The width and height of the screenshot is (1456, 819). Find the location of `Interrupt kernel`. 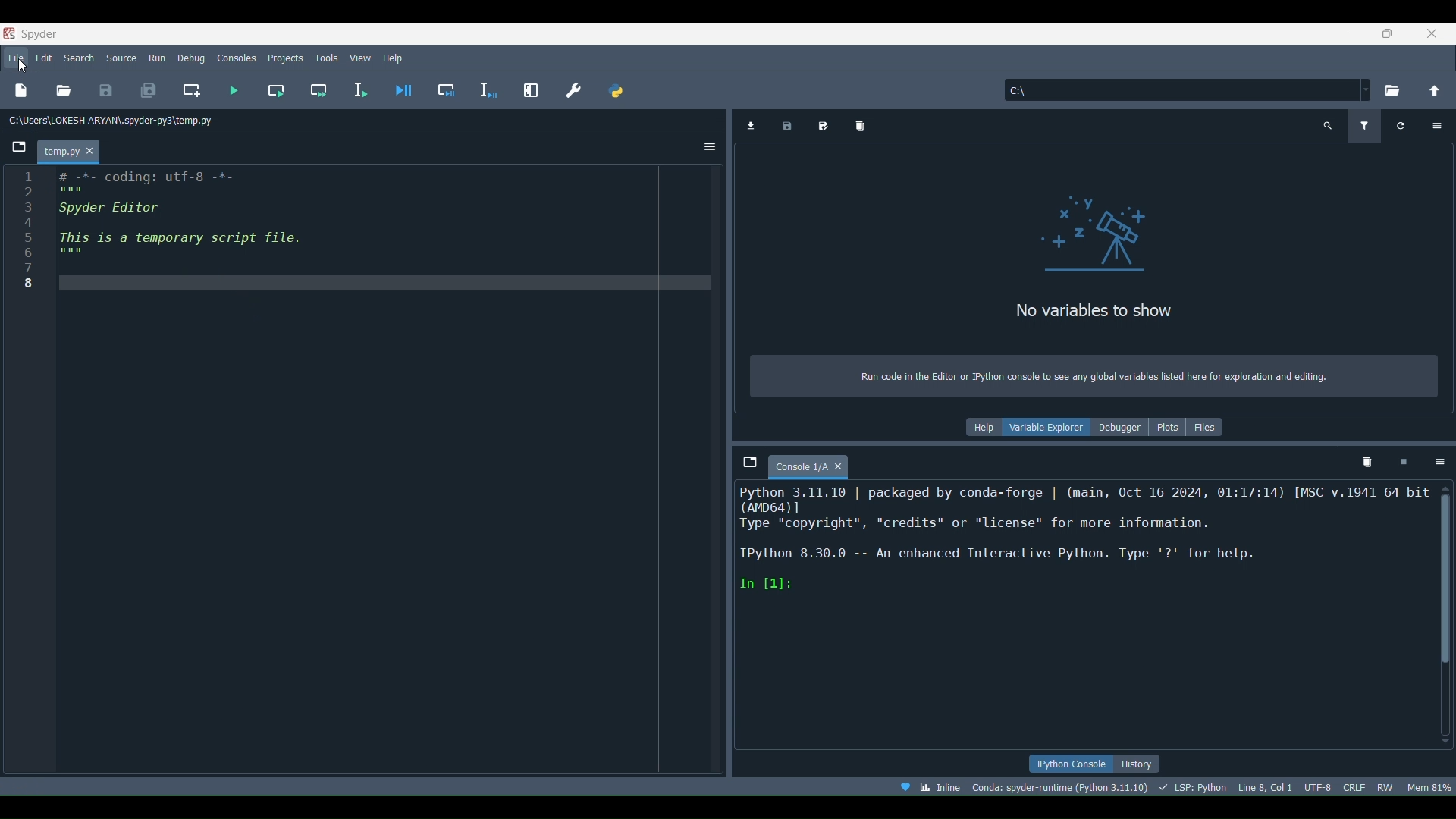

Interrupt kernel is located at coordinates (1404, 461).